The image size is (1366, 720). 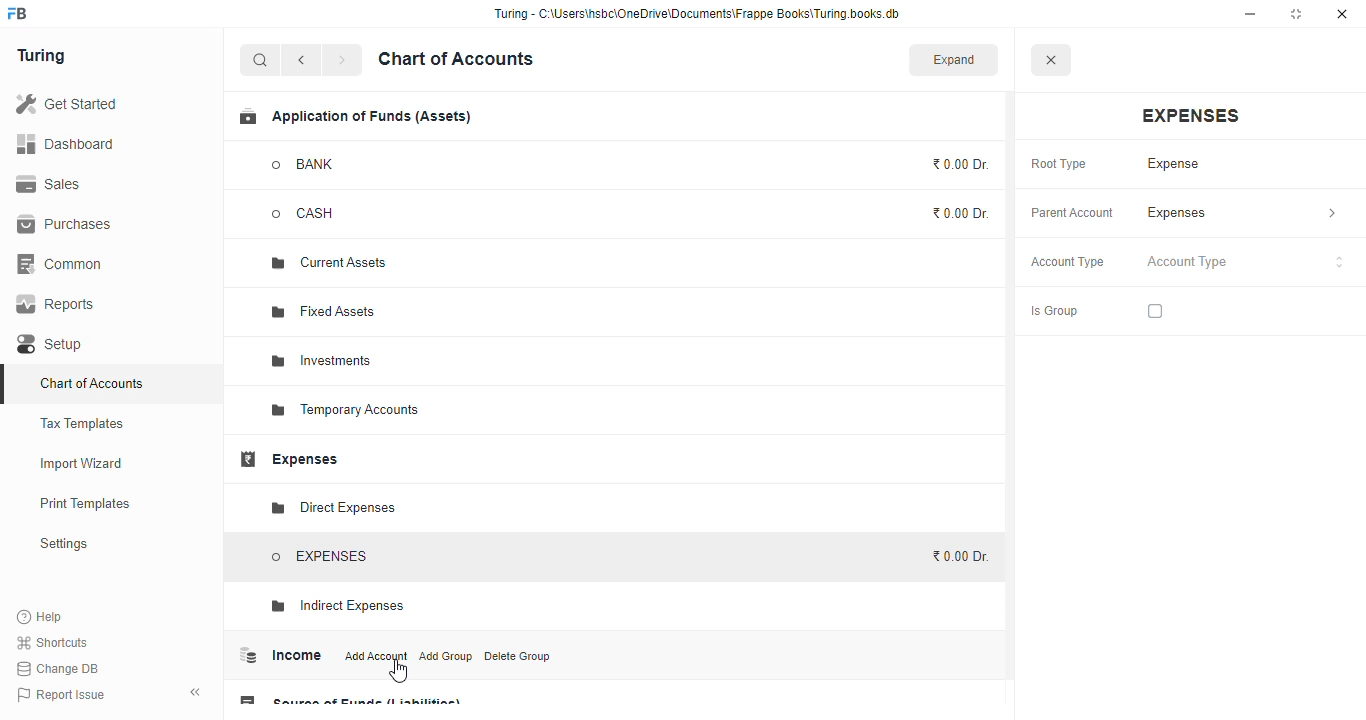 I want to click on tax templates, so click(x=83, y=423).